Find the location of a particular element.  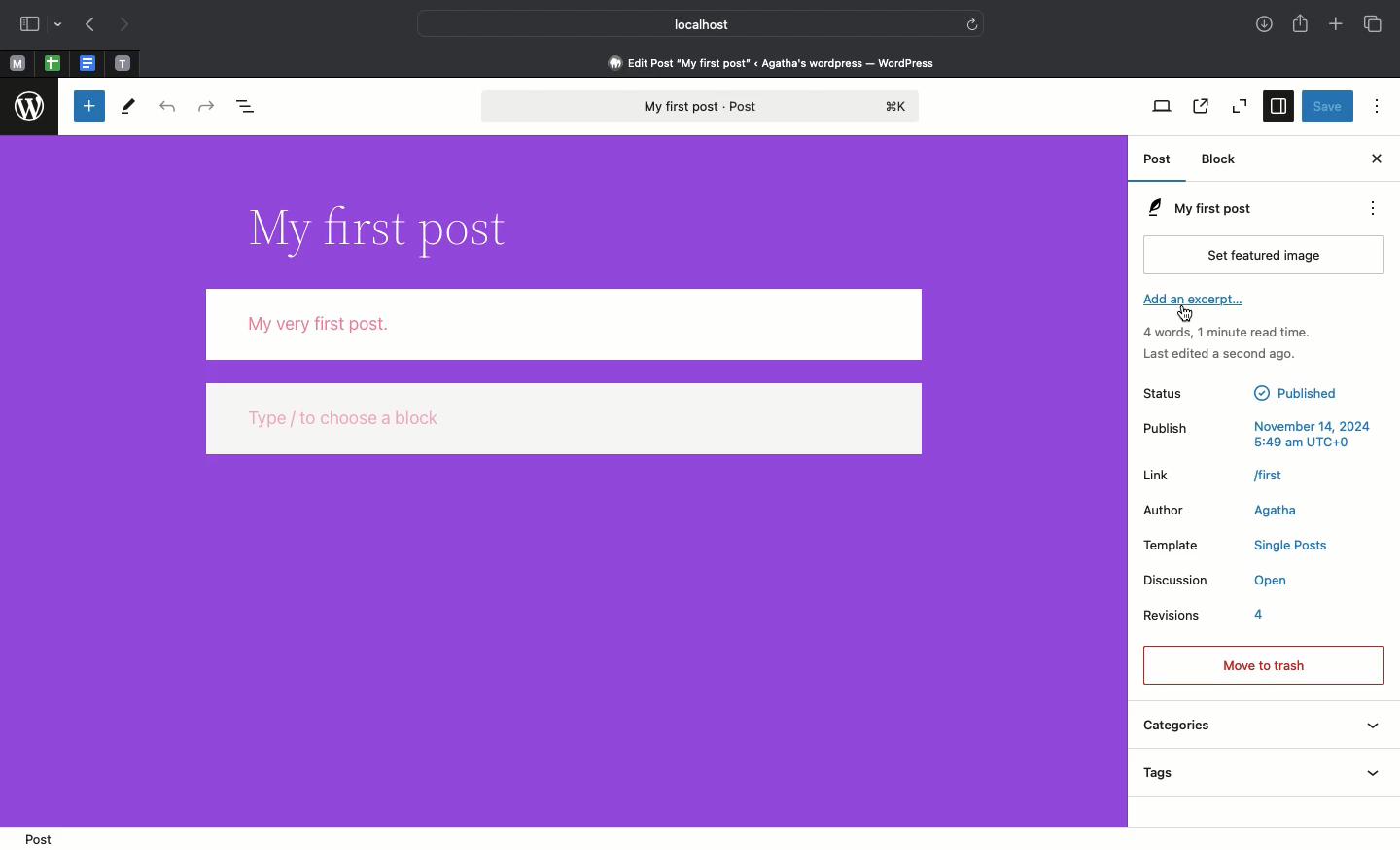

Settings is located at coordinates (1280, 107).